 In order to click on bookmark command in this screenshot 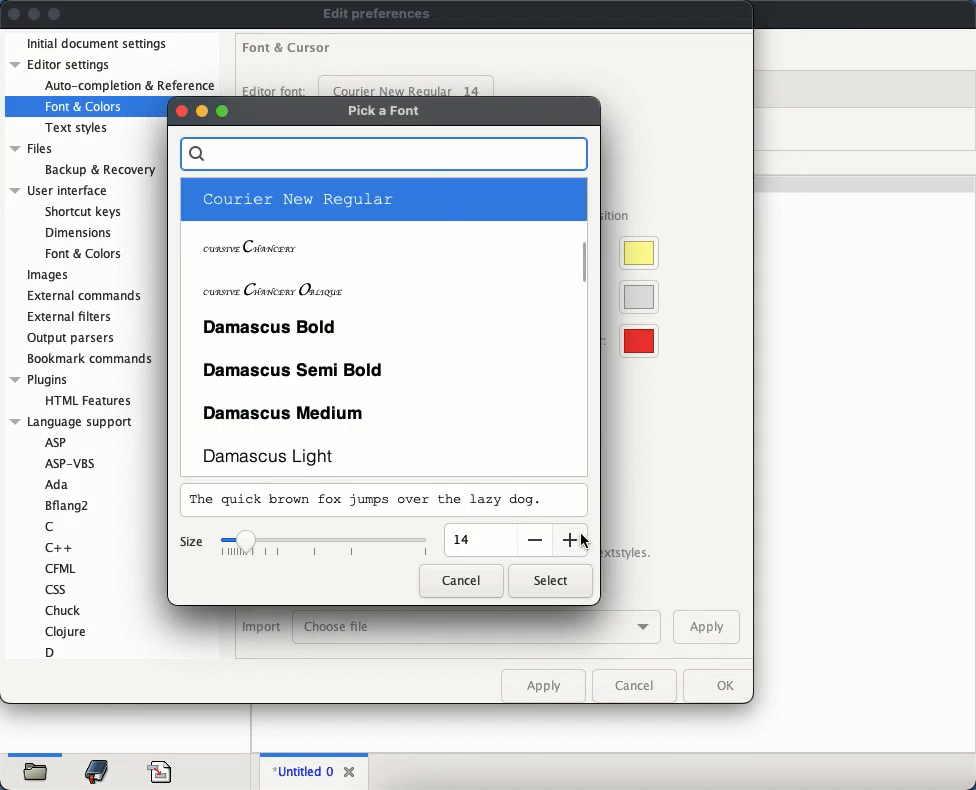, I will do `click(87, 360)`.